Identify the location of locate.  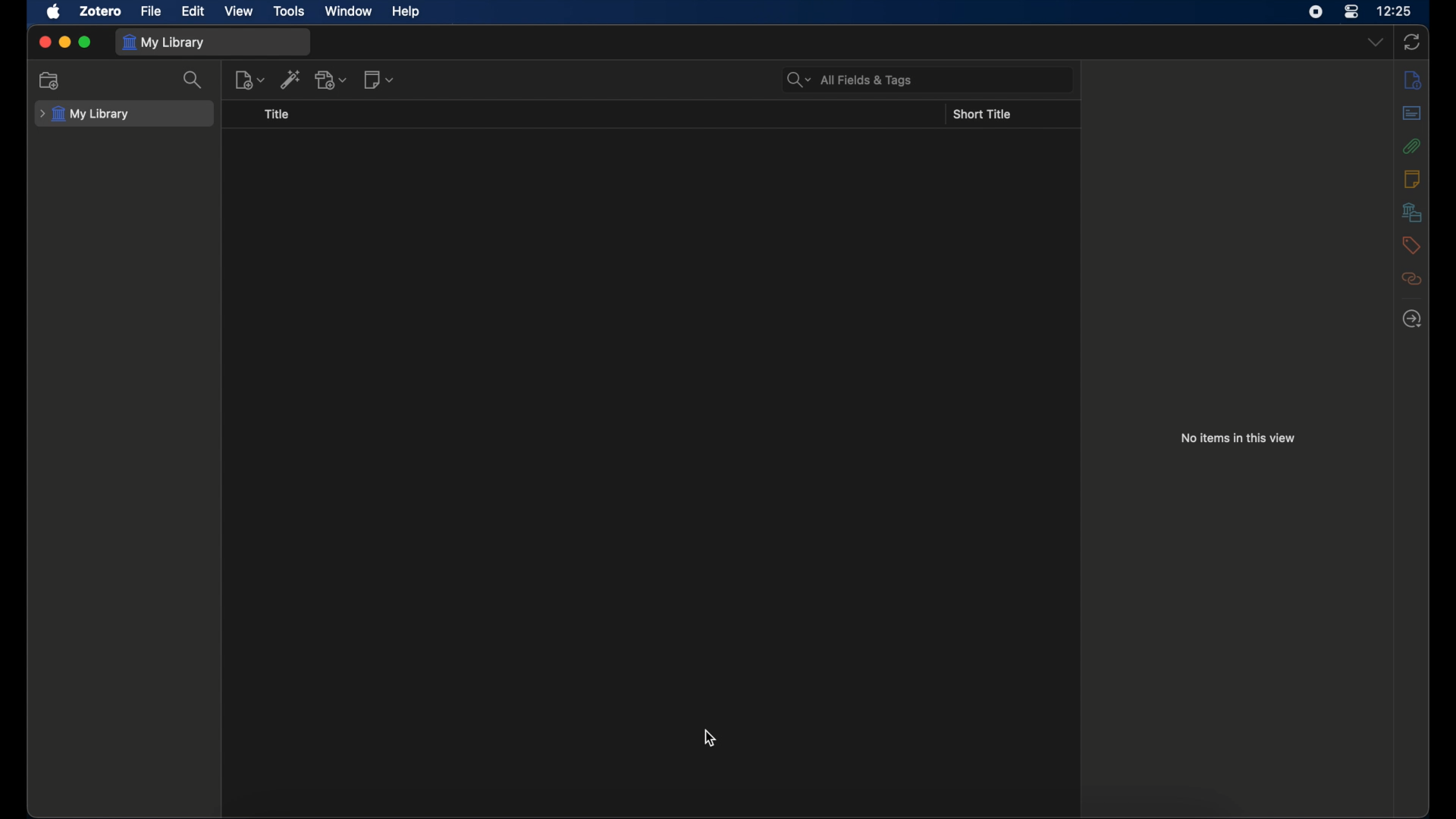
(1412, 319).